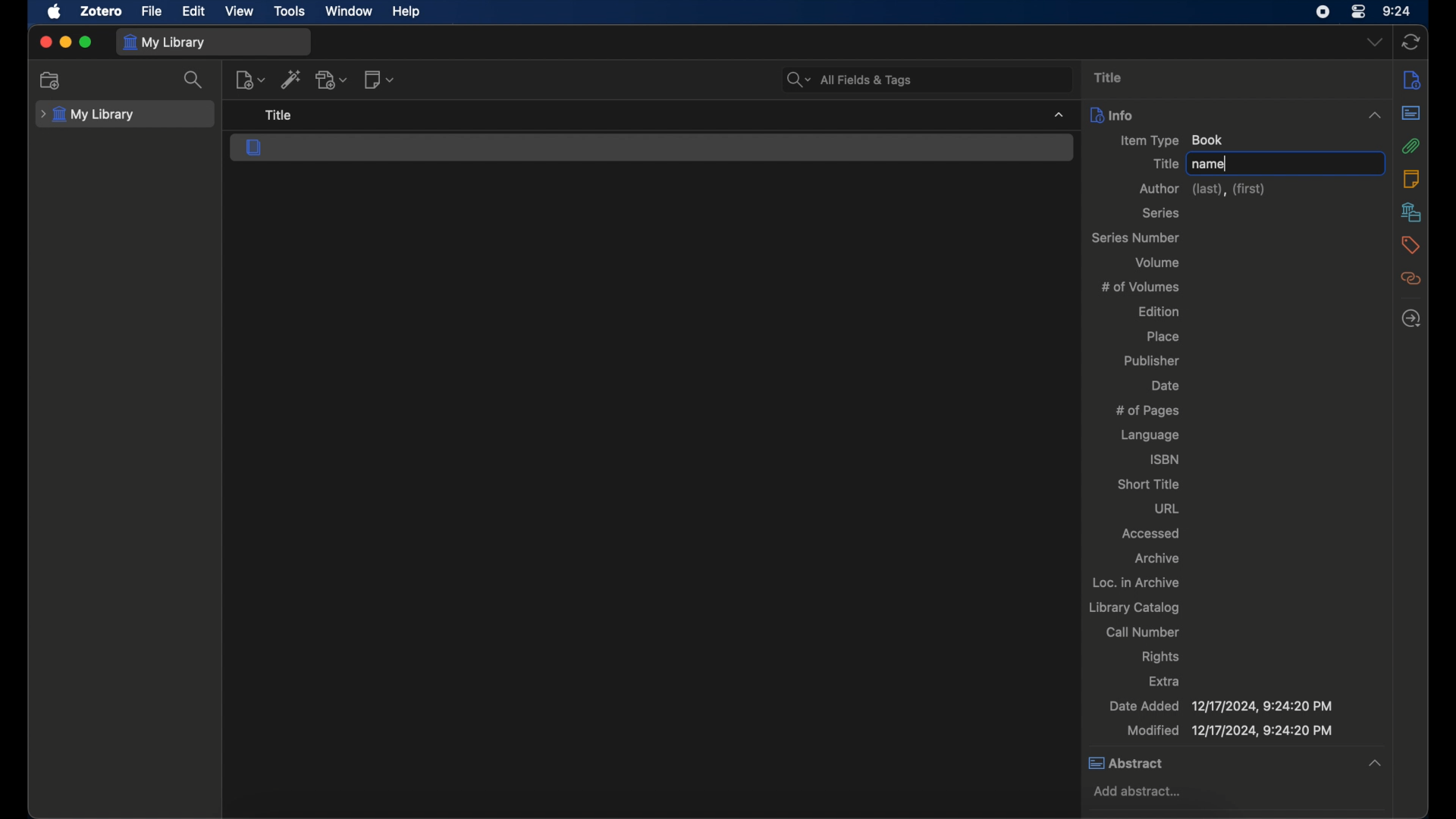 This screenshot has height=819, width=1456. What do you see at coordinates (290, 11) in the screenshot?
I see `tools` at bounding box center [290, 11].